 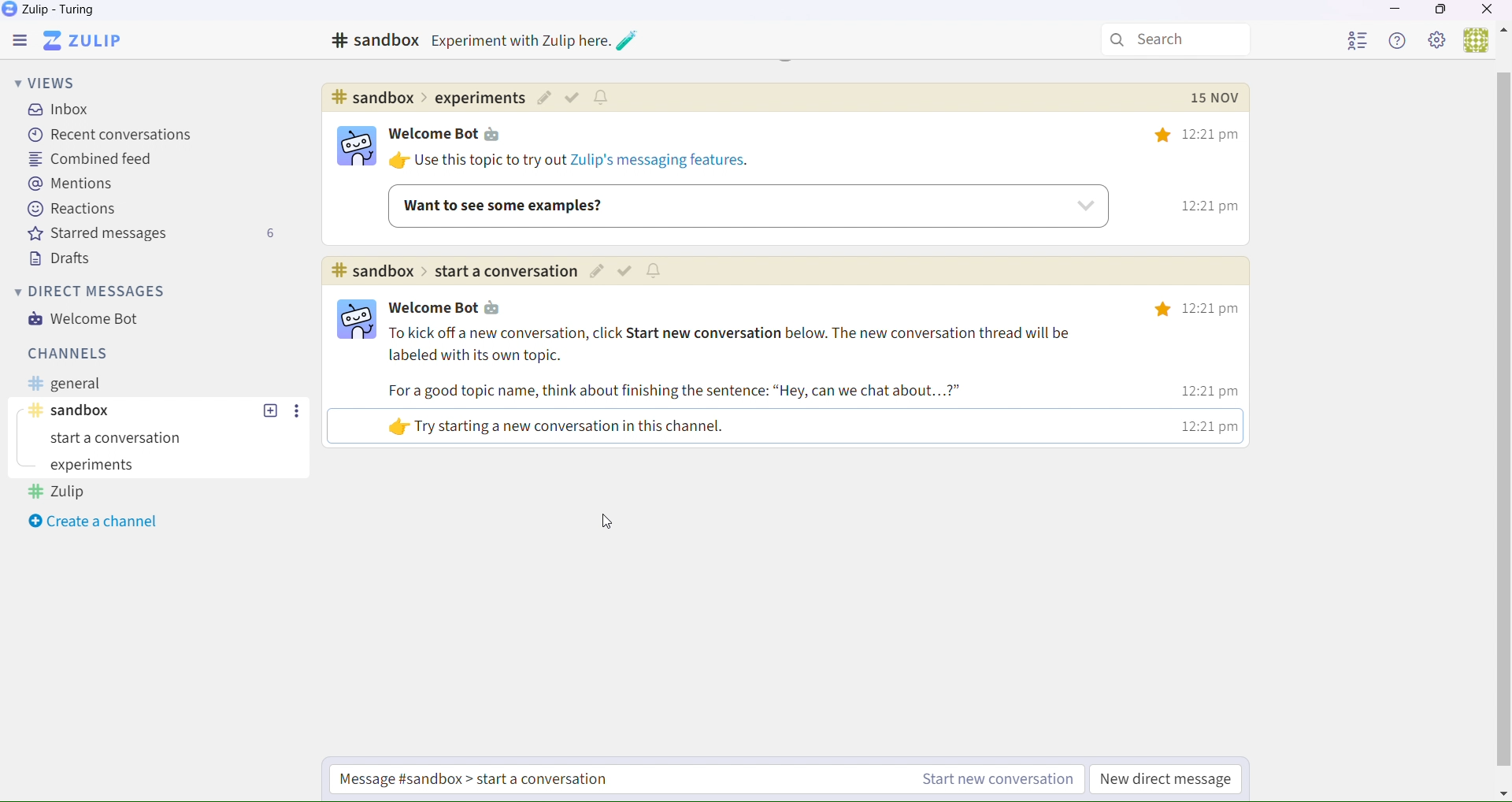 I want to click on Starred messages, so click(x=152, y=236).